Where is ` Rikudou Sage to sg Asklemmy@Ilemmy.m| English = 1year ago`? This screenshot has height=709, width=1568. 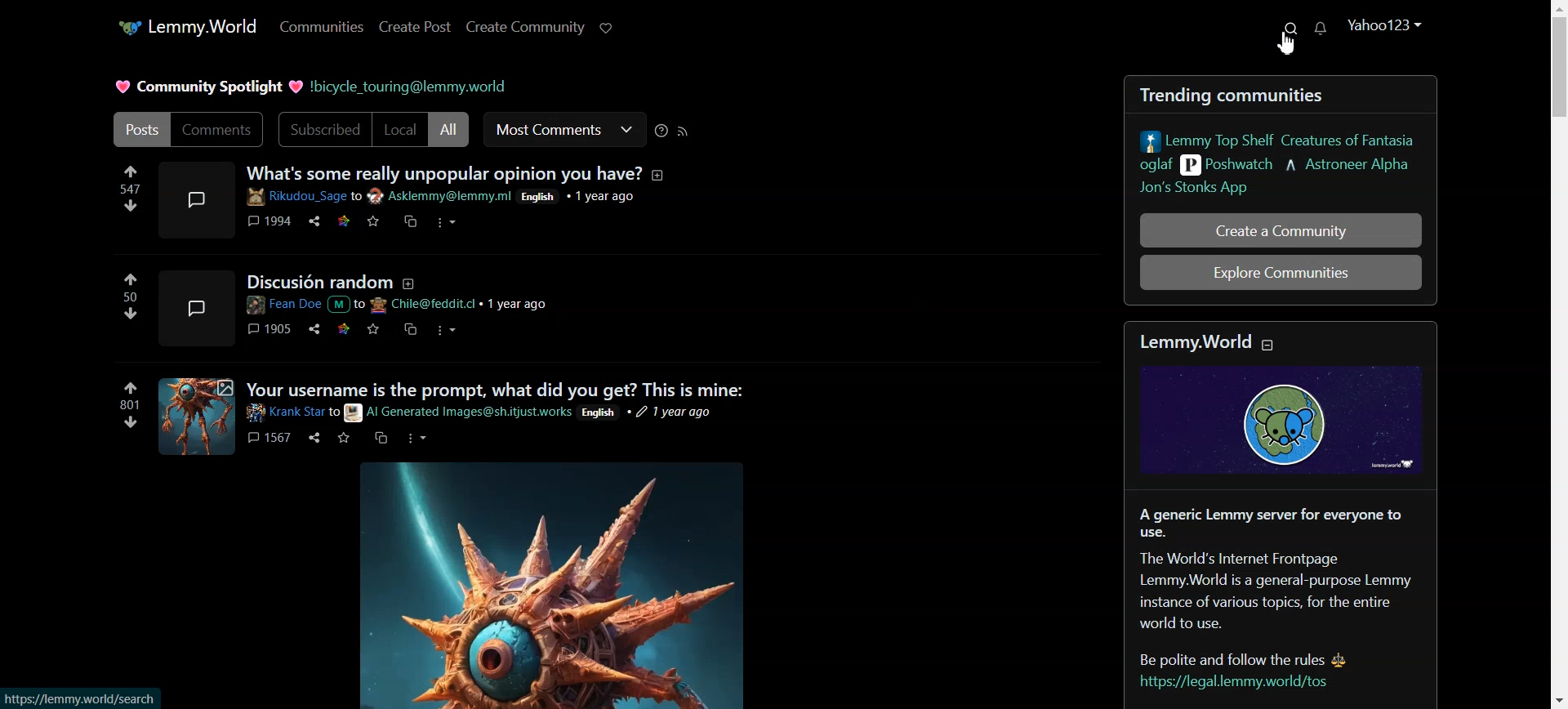  Rikudou Sage to sg Asklemmy@Ilemmy.m| English = 1year ago is located at coordinates (452, 198).